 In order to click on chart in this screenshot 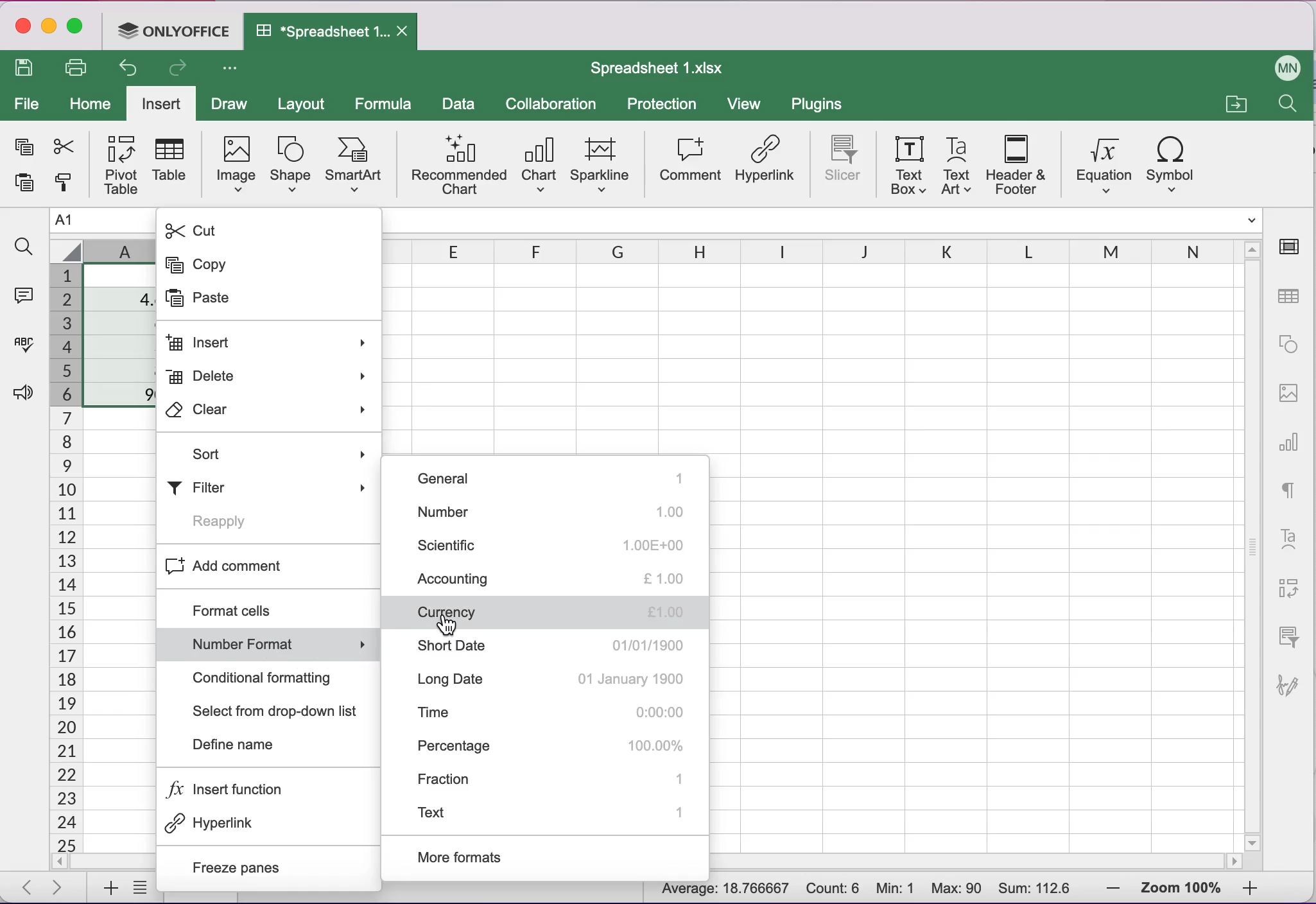, I will do `click(539, 167)`.